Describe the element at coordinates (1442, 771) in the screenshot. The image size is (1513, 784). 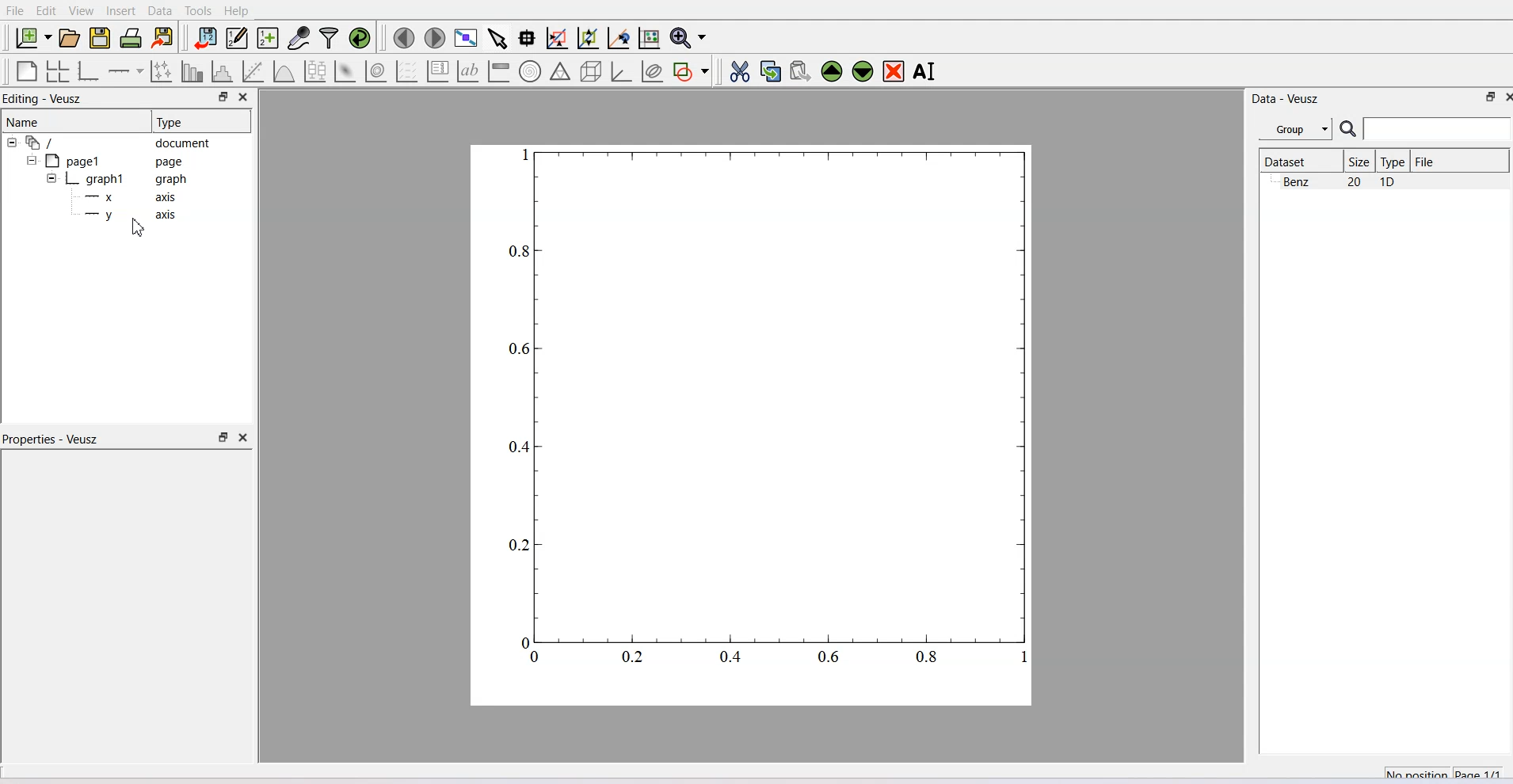
I see `No Position Page 1/1` at that location.